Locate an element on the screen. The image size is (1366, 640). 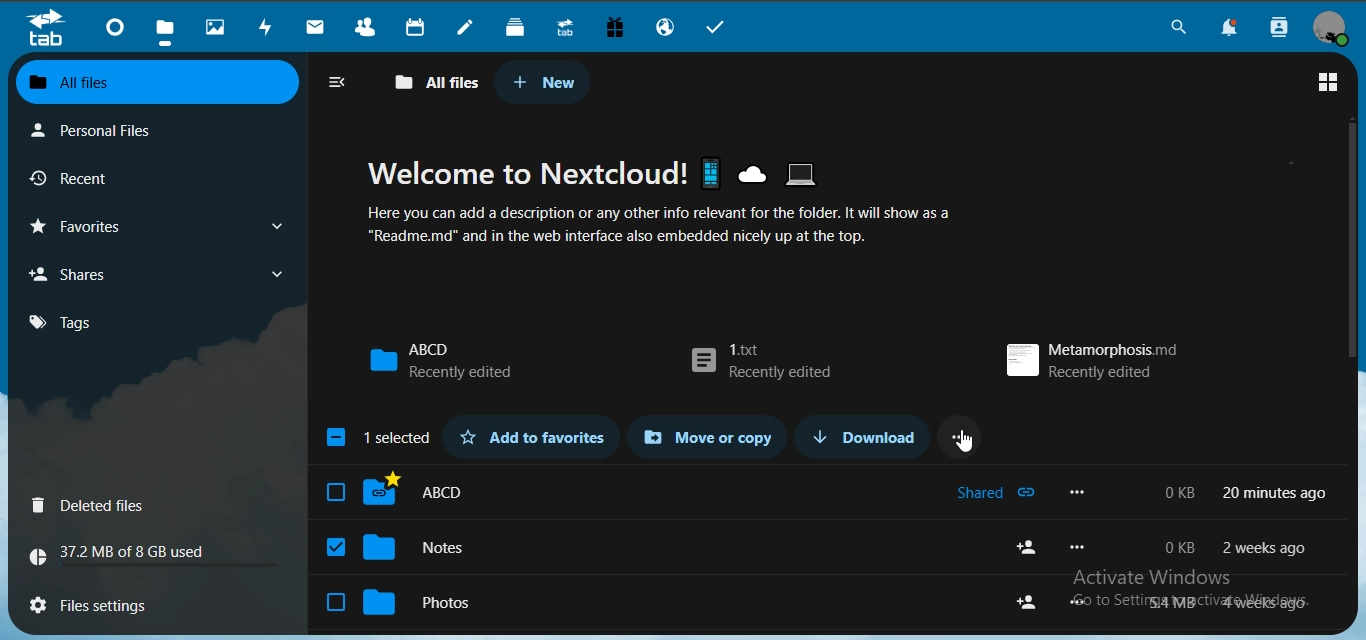
Here you can add a description or any other info relevant for the folder. It will show as a
“Readme.md" and in the web interface also embedded nicely up at the top. is located at coordinates (670, 230).